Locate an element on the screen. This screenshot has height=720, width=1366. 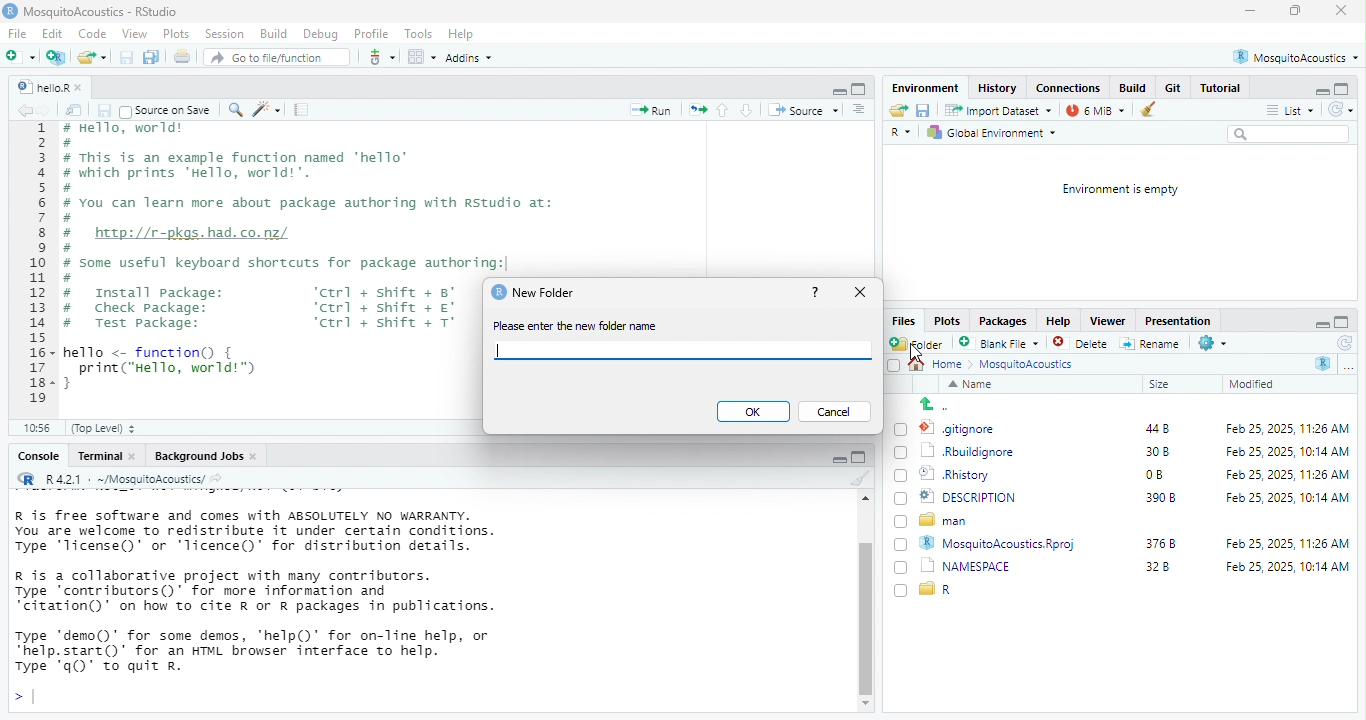
save current document is located at coordinates (128, 57).